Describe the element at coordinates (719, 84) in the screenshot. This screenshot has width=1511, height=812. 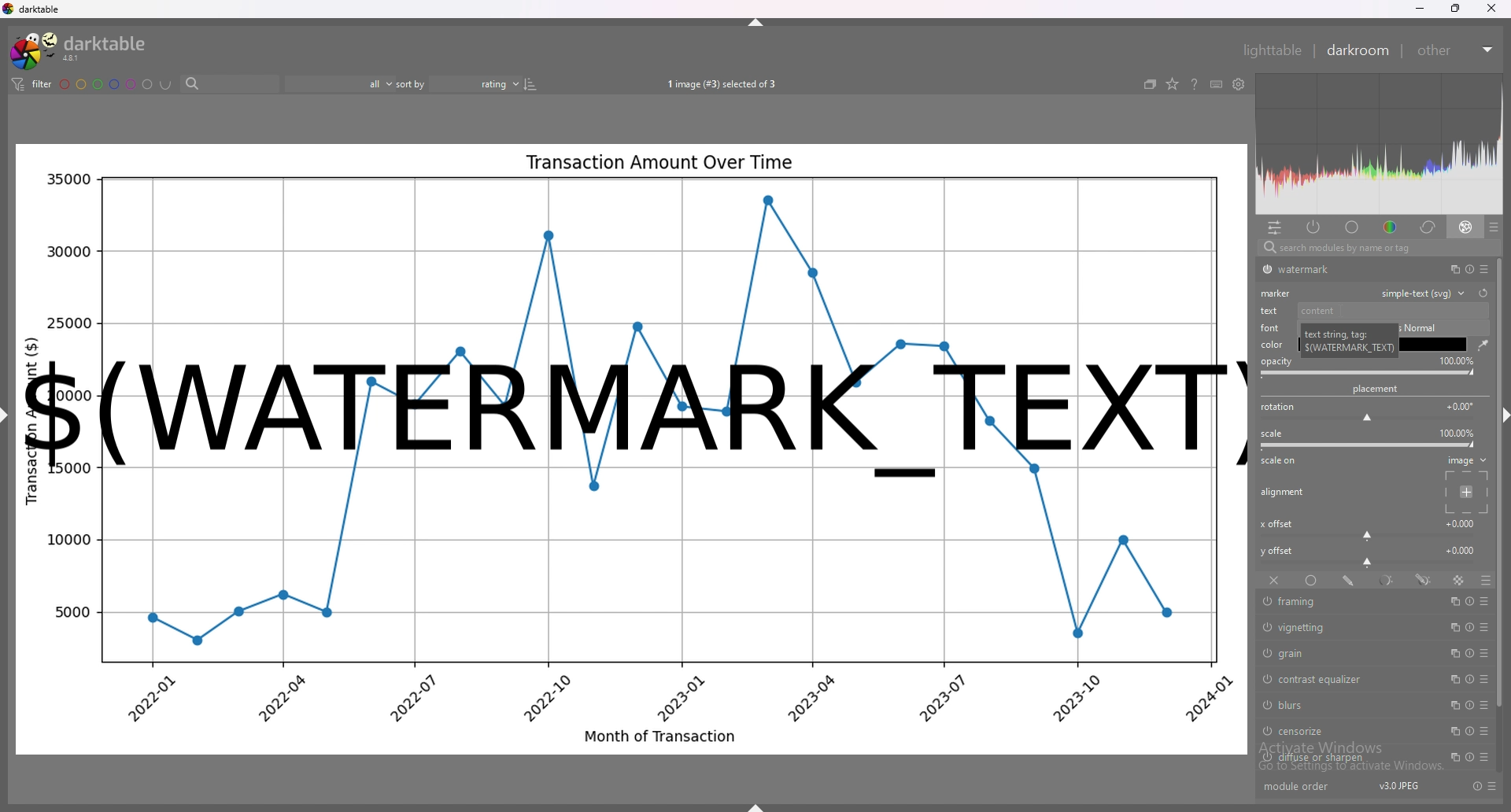
I see `images selected` at that location.